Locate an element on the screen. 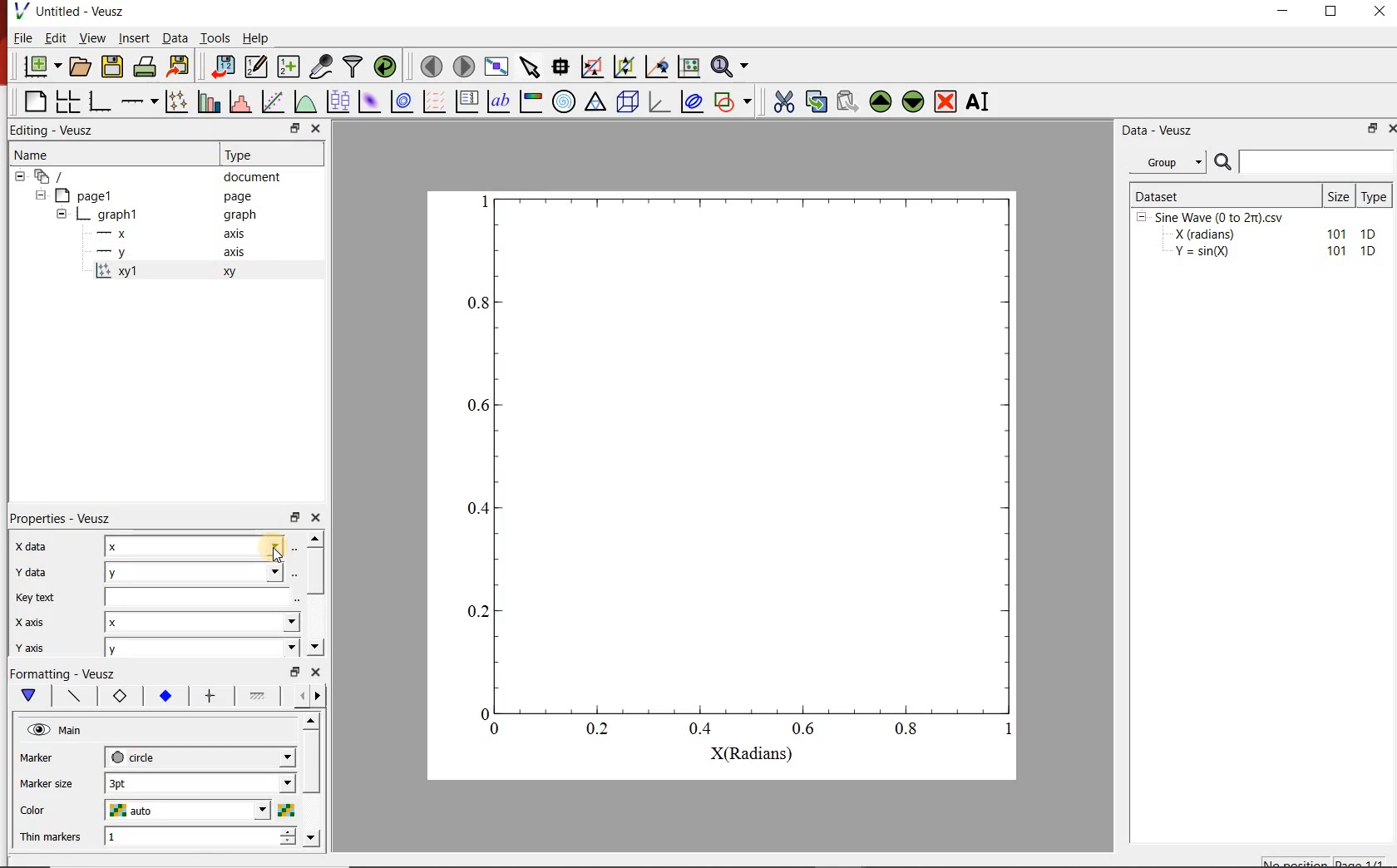  xy is located at coordinates (226, 272).